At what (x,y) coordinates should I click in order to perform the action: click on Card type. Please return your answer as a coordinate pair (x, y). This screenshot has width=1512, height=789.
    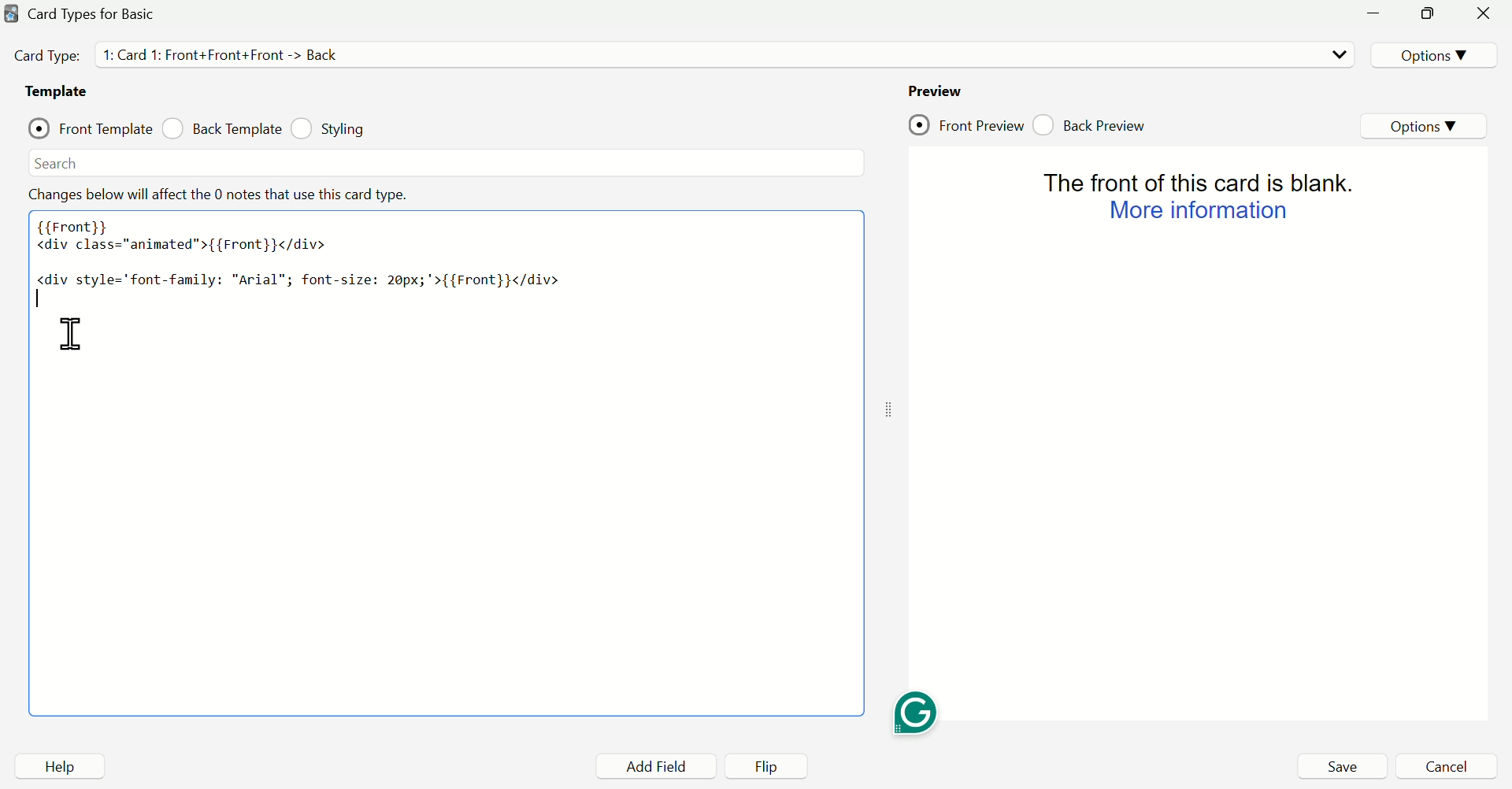
    Looking at the image, I should click on (722, 54).